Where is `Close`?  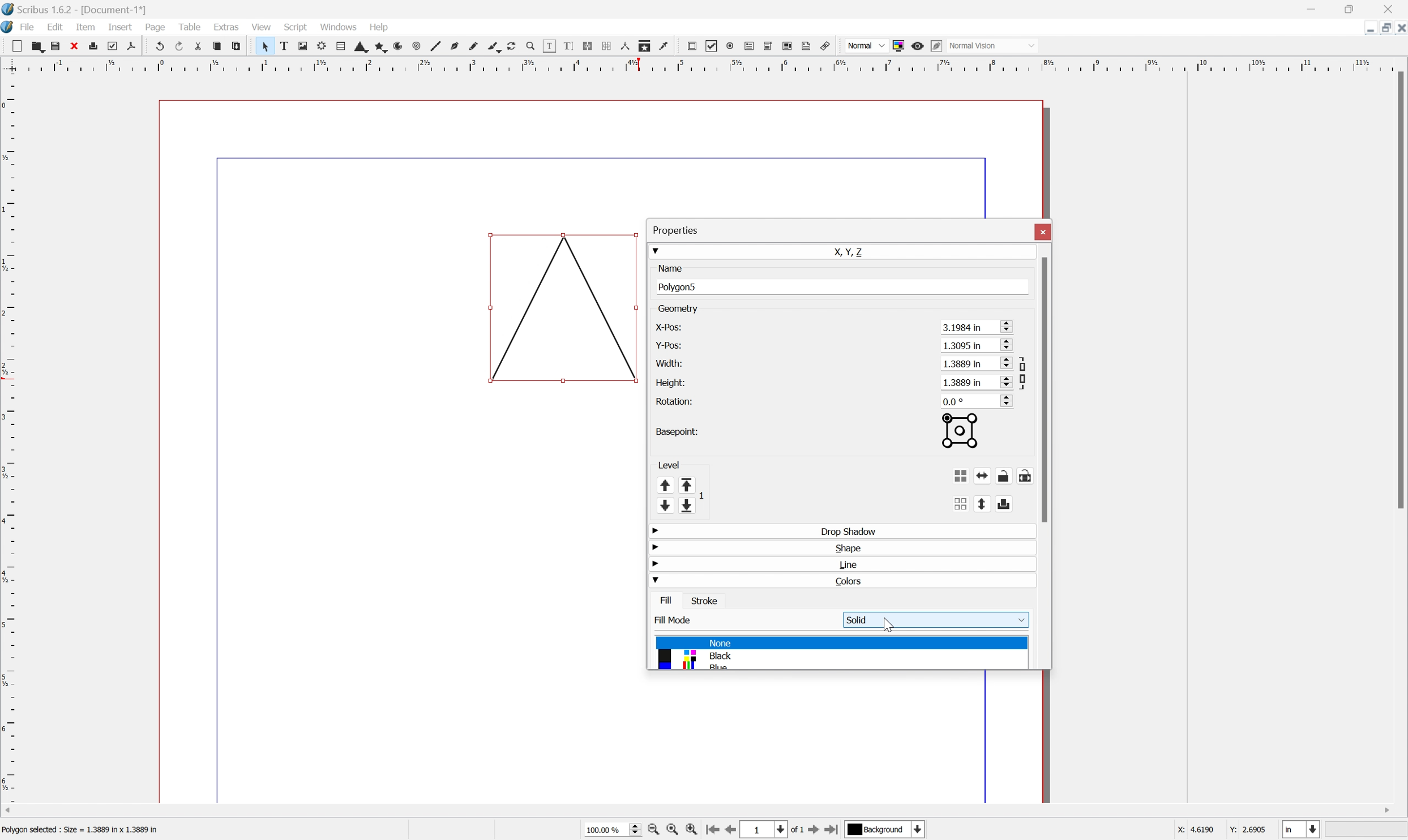
Close is located at coordinates (1399, 29).